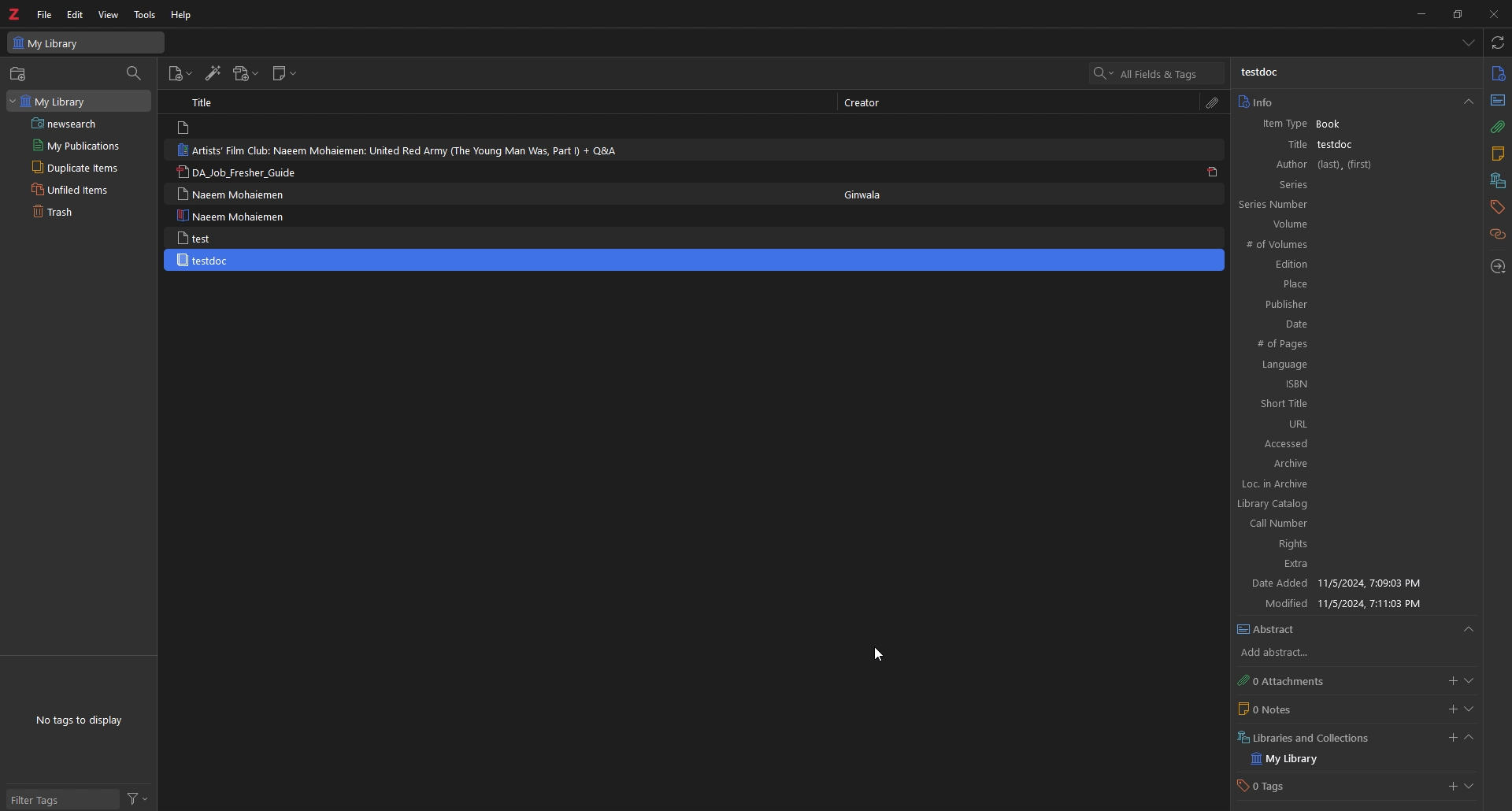 This screenshot has height=811, width=1512. What do you see at coordinates (285, 74) in the screenshot?
I see `new note` at bounding box center [285, 74].